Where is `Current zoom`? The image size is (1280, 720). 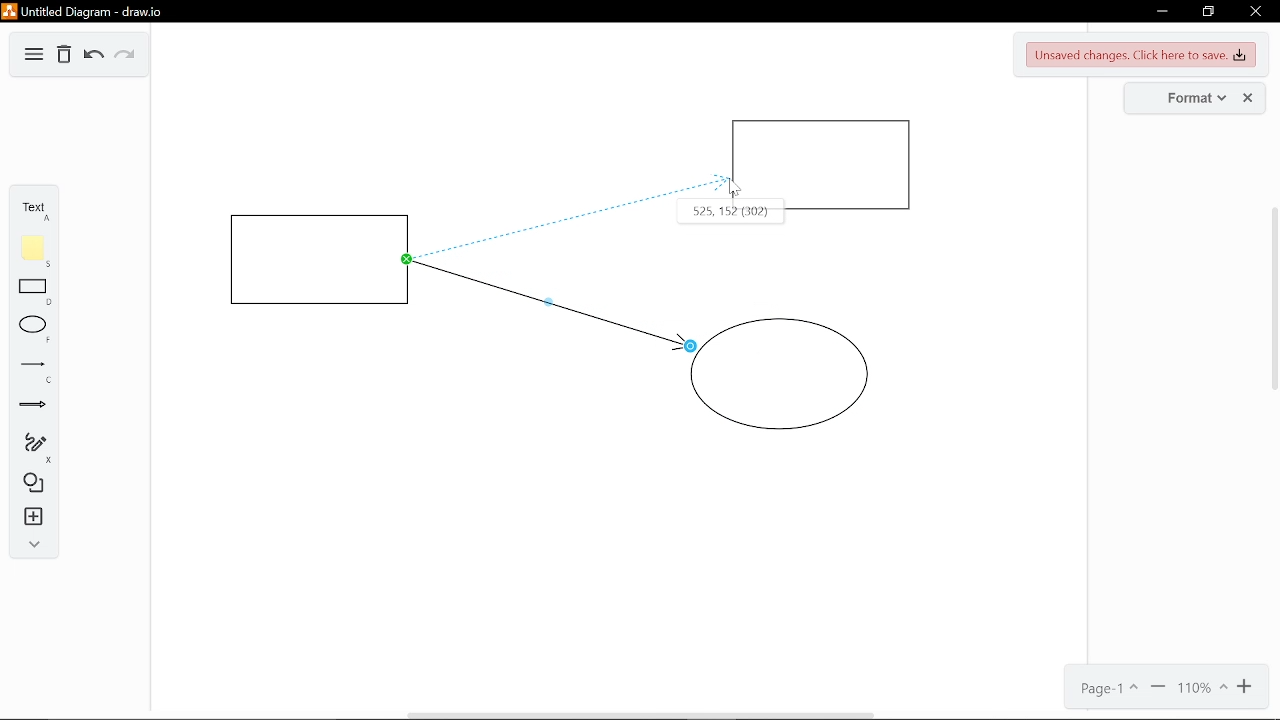
Current zoom is located at coordinates (1202, 690).